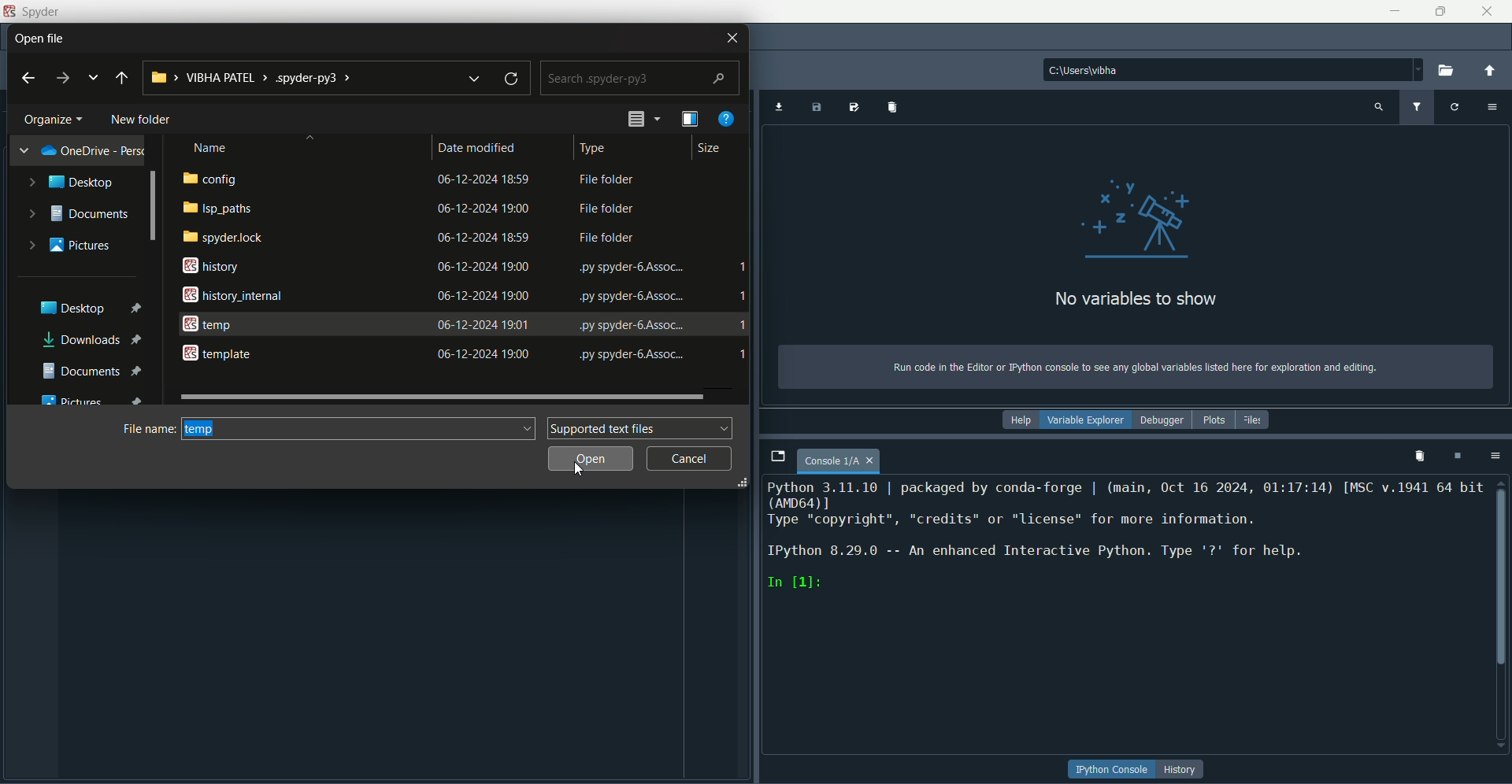 Image resolution: width=1512 pixels, height=784 pixels. Describe the element at coordinates (1133, 368) in the screenshot. I see `text` at that location.